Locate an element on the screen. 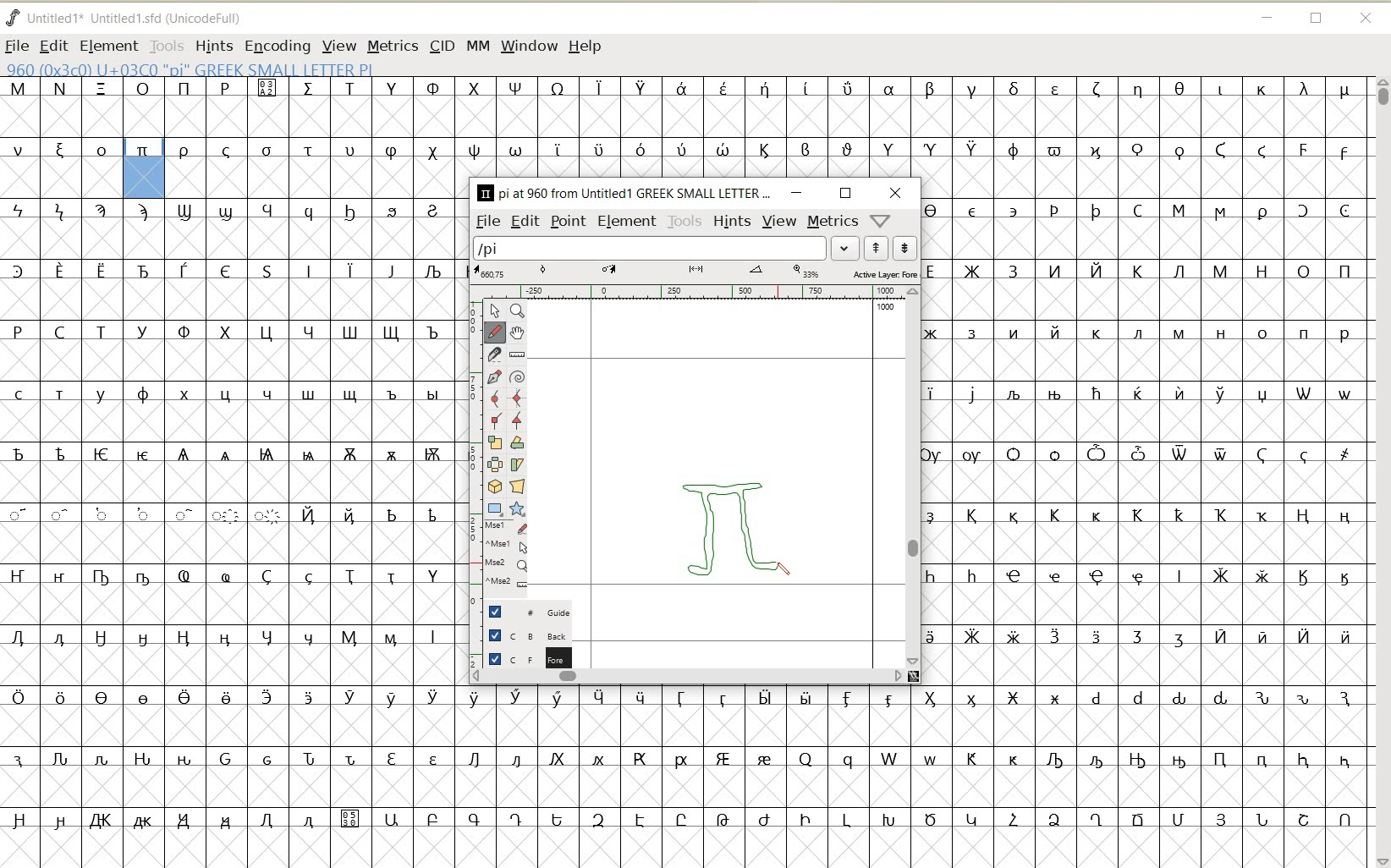  flip the selection is located at coordinates (492, 464).